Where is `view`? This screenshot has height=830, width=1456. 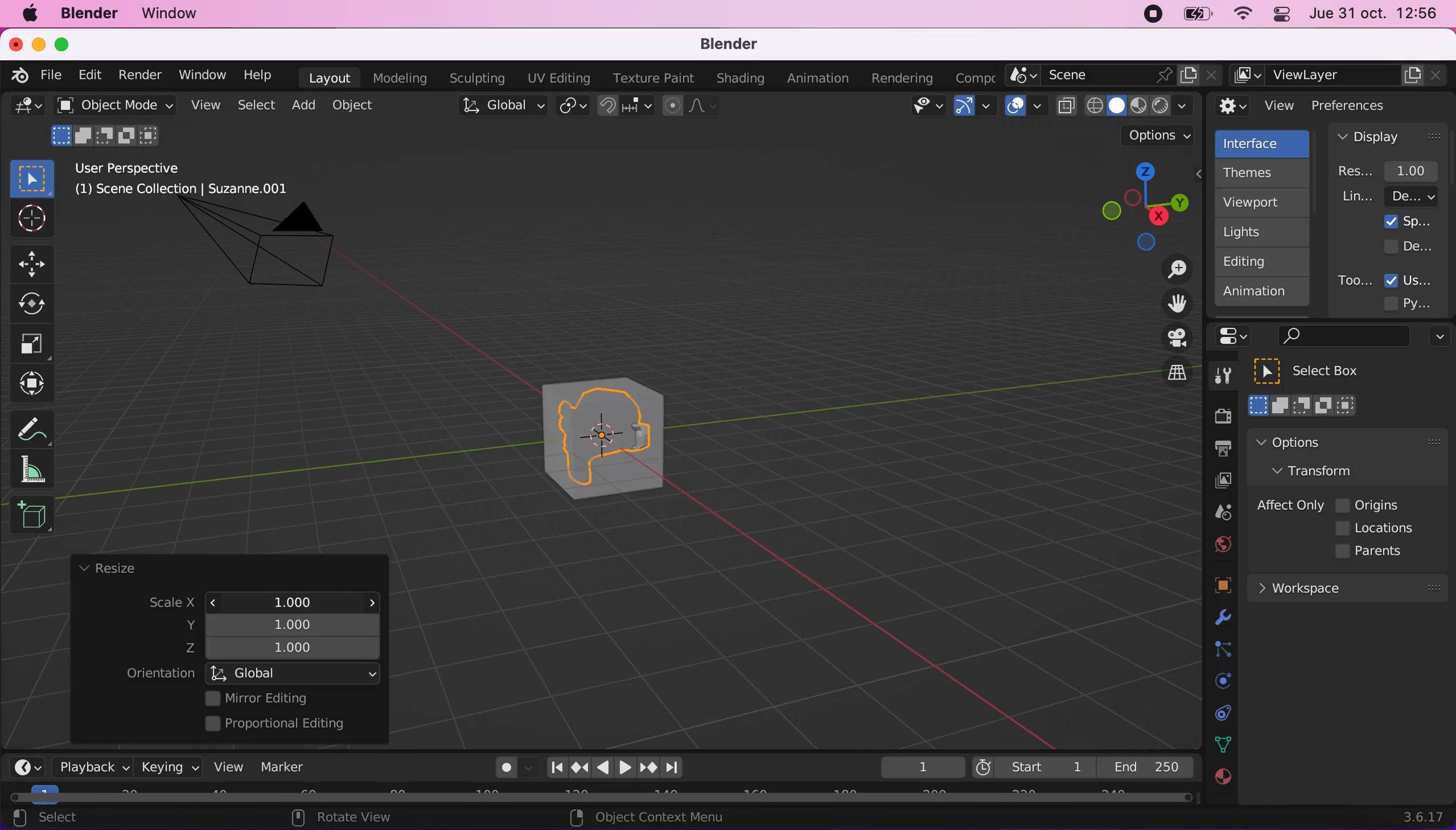 view is located at coordinates (203, 105).